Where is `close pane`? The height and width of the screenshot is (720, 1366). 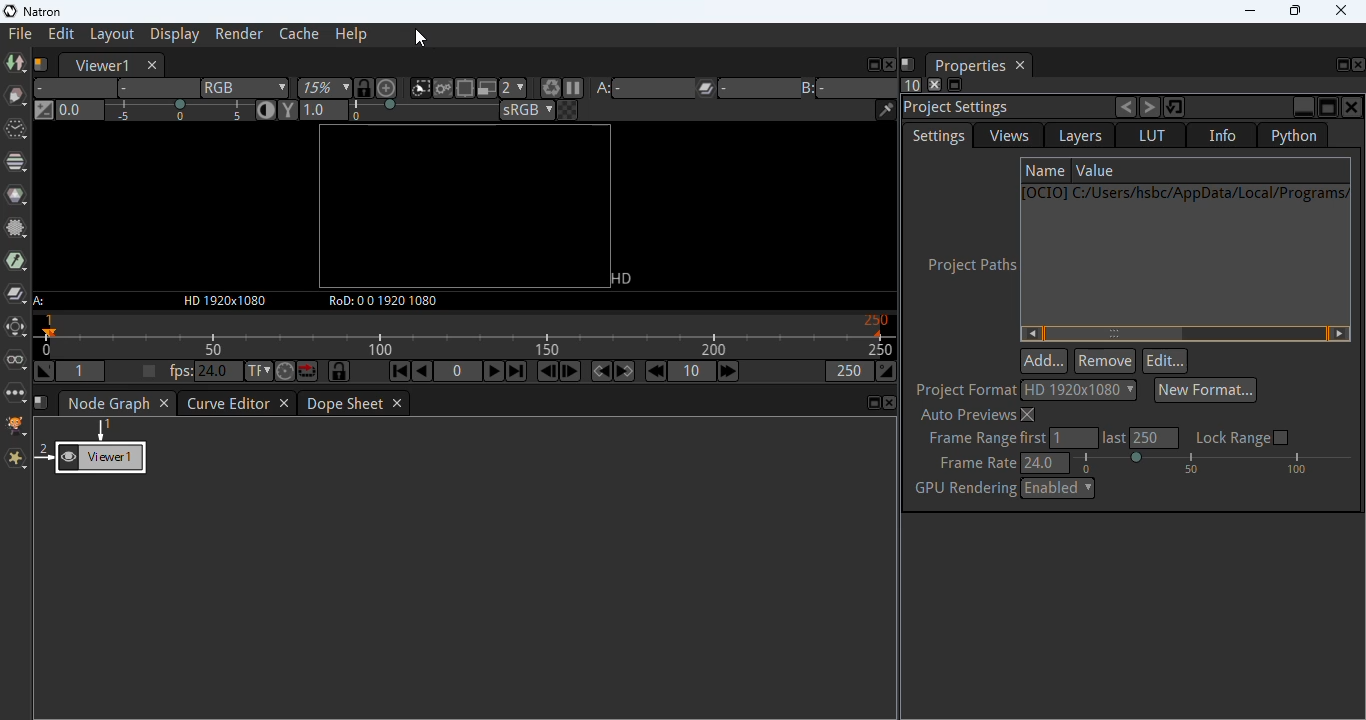
close pane is located at coordinates (890, 64).